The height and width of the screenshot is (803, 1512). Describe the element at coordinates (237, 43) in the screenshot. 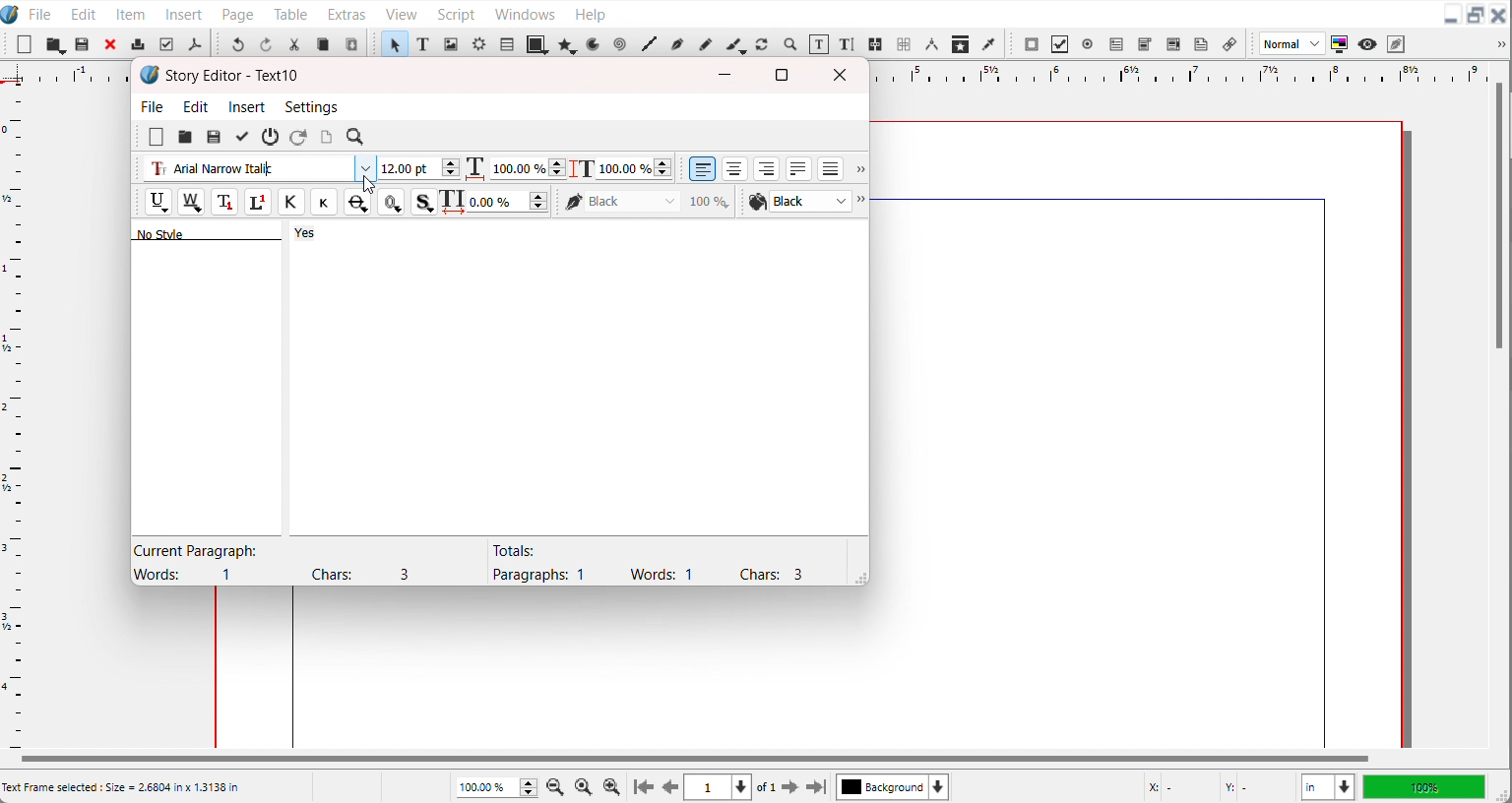

I see `Undo` at that location.